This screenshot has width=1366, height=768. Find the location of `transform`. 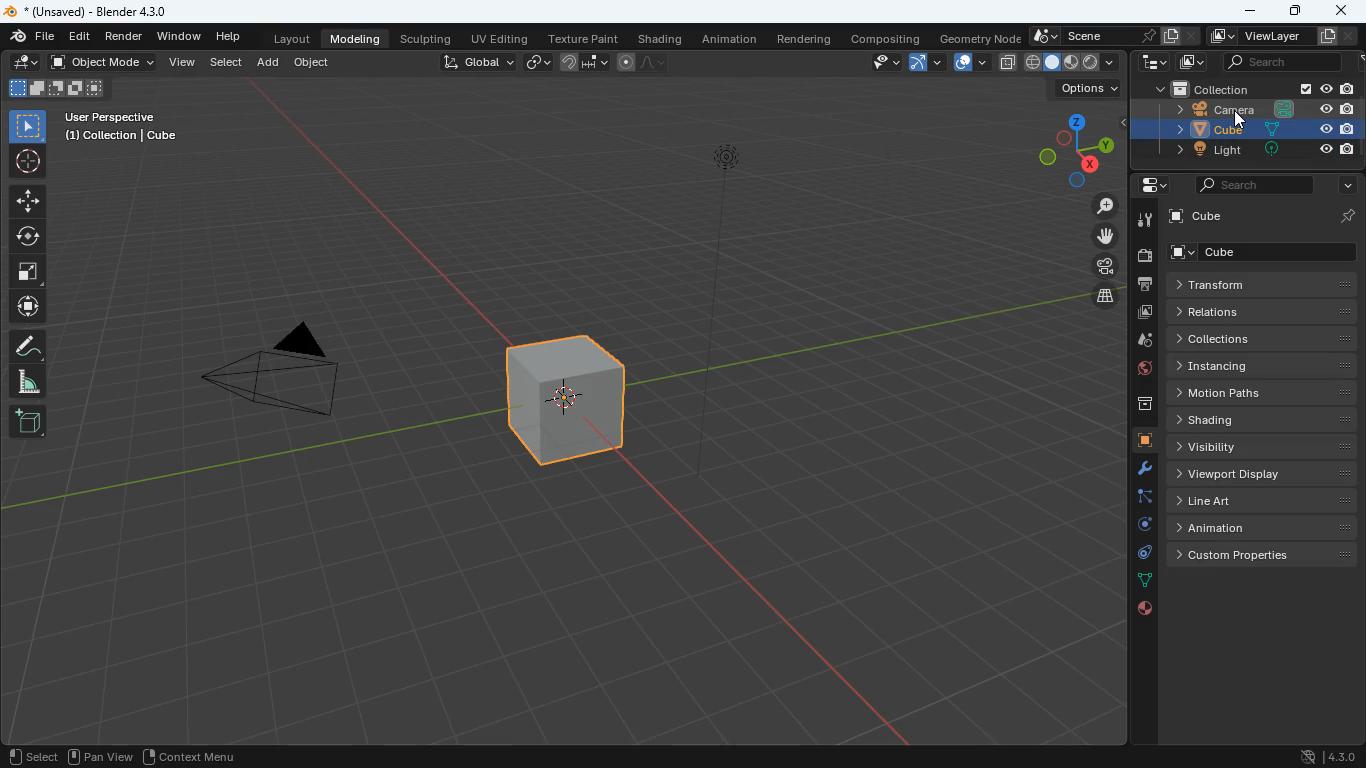

transform is located at coordinates (1266, 284).